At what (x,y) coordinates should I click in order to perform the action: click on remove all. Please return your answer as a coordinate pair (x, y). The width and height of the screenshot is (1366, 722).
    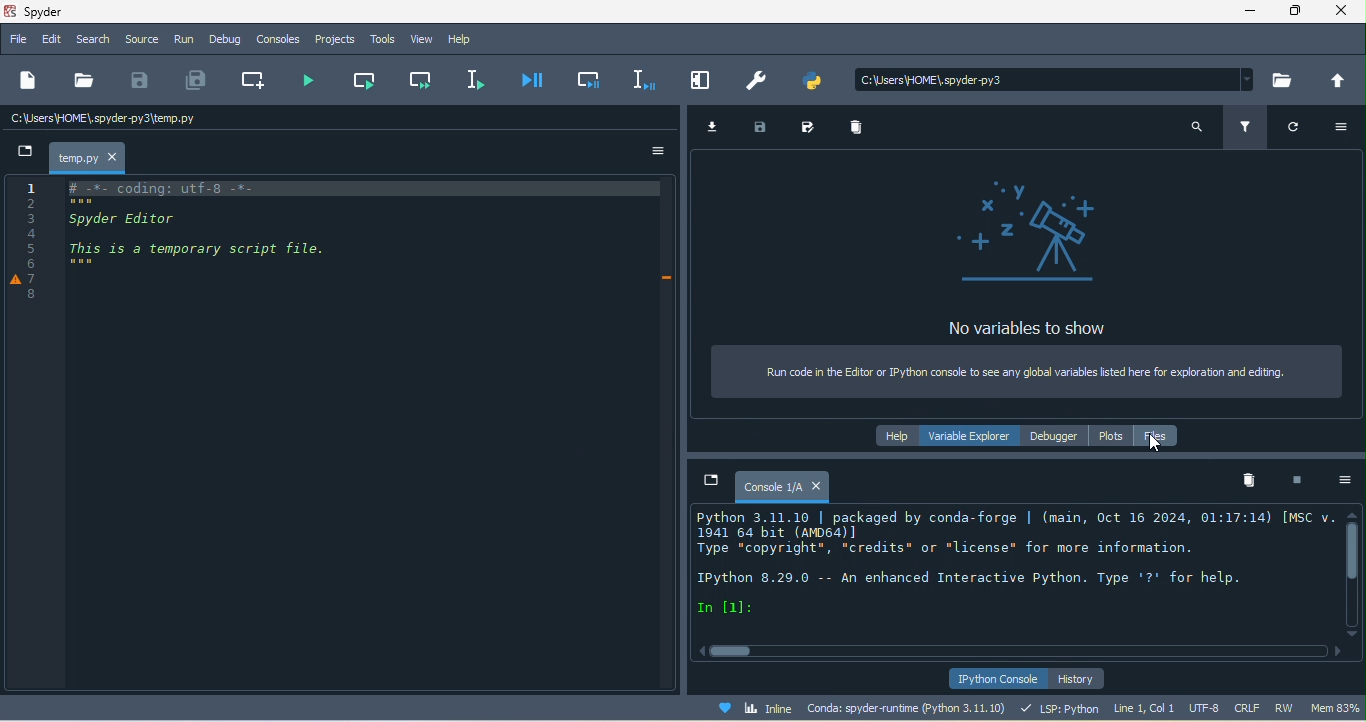
    Looking at the image, I should click on (1252, 481).